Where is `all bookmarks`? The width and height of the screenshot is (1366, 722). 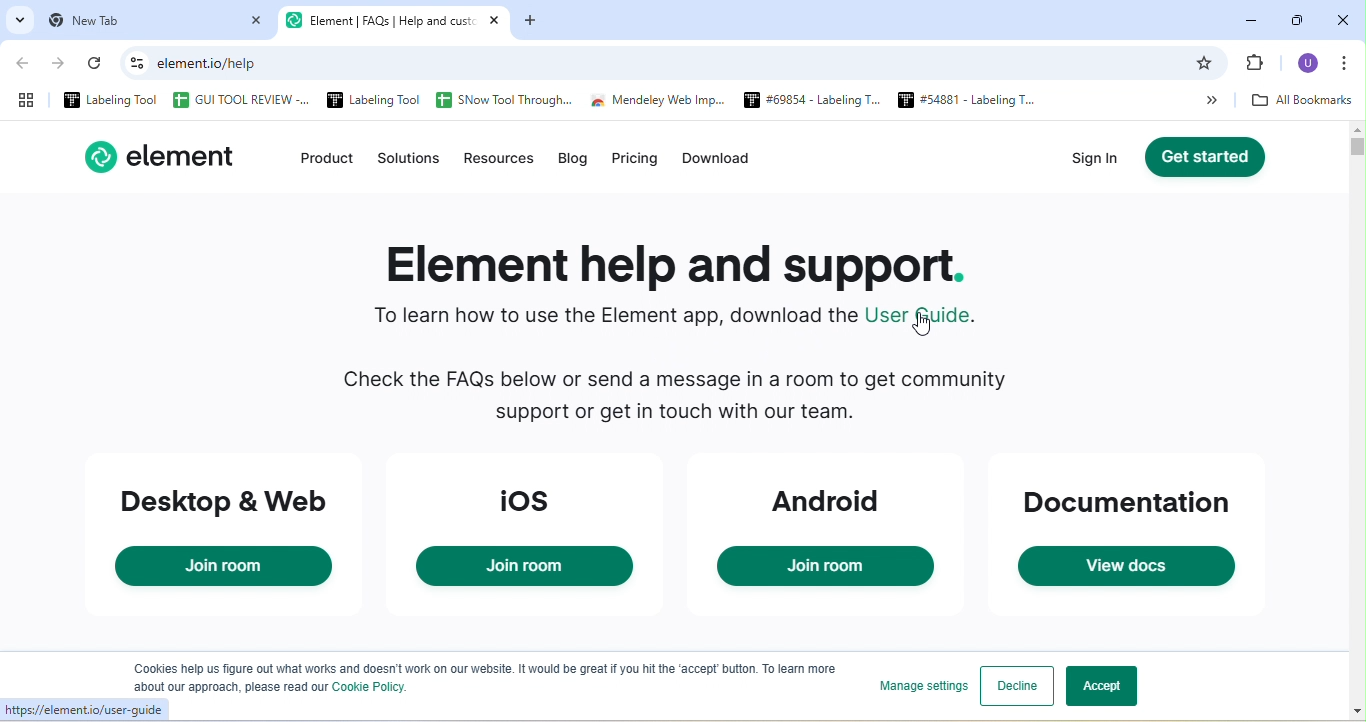
all bookmarks is located at coordinates (1308, 102).